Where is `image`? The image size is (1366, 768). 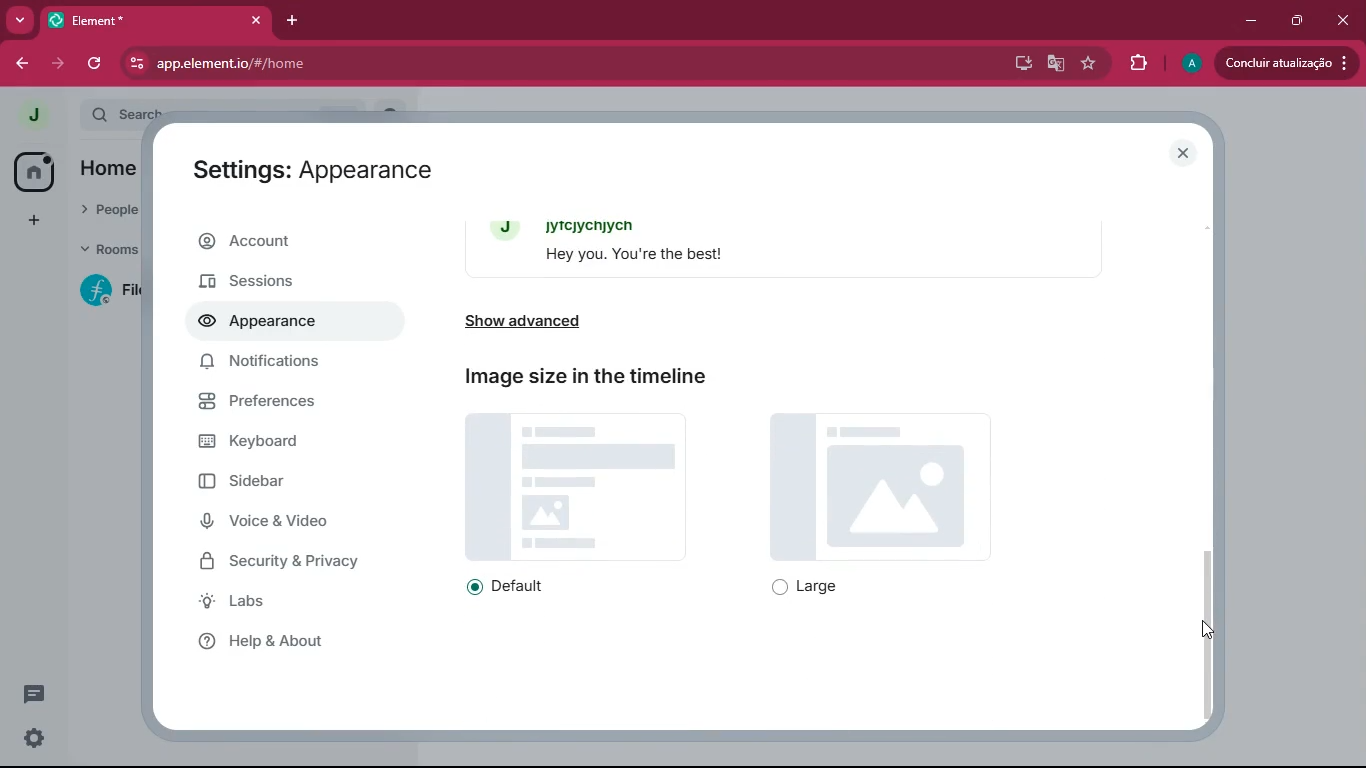
image is located at coordinates (881, 488).